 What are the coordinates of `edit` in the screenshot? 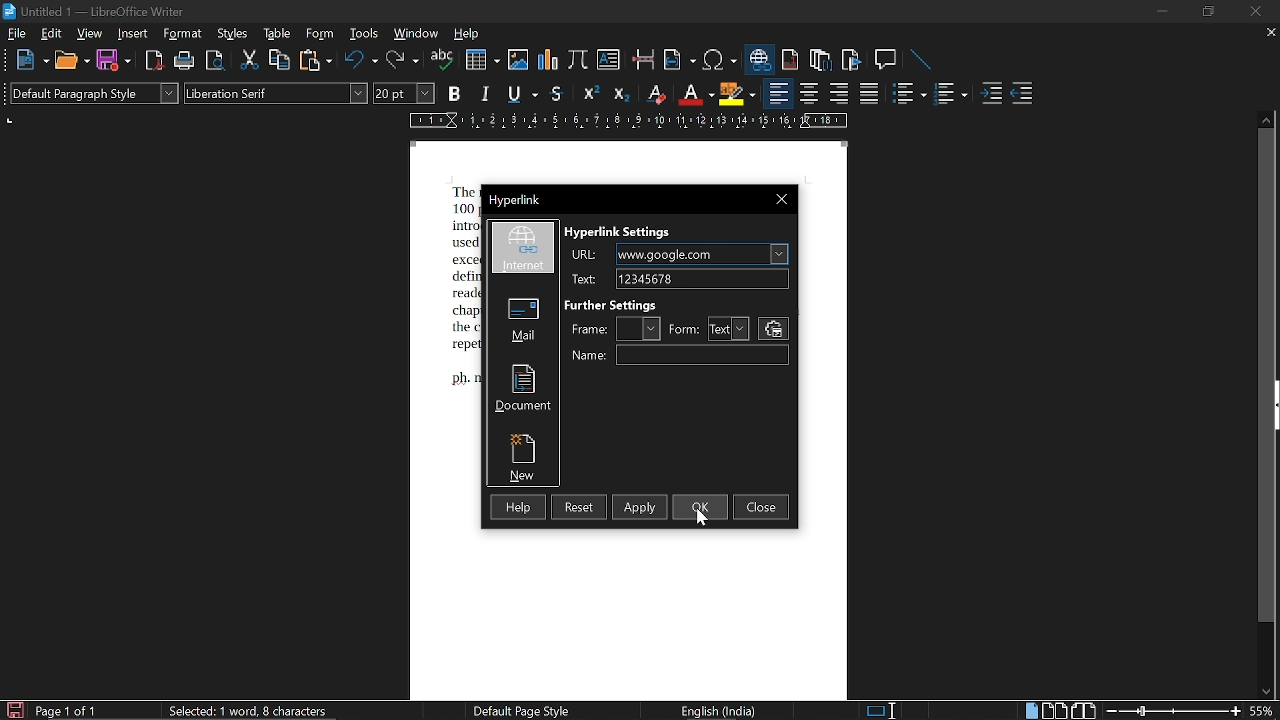 It's located at (52, 35).